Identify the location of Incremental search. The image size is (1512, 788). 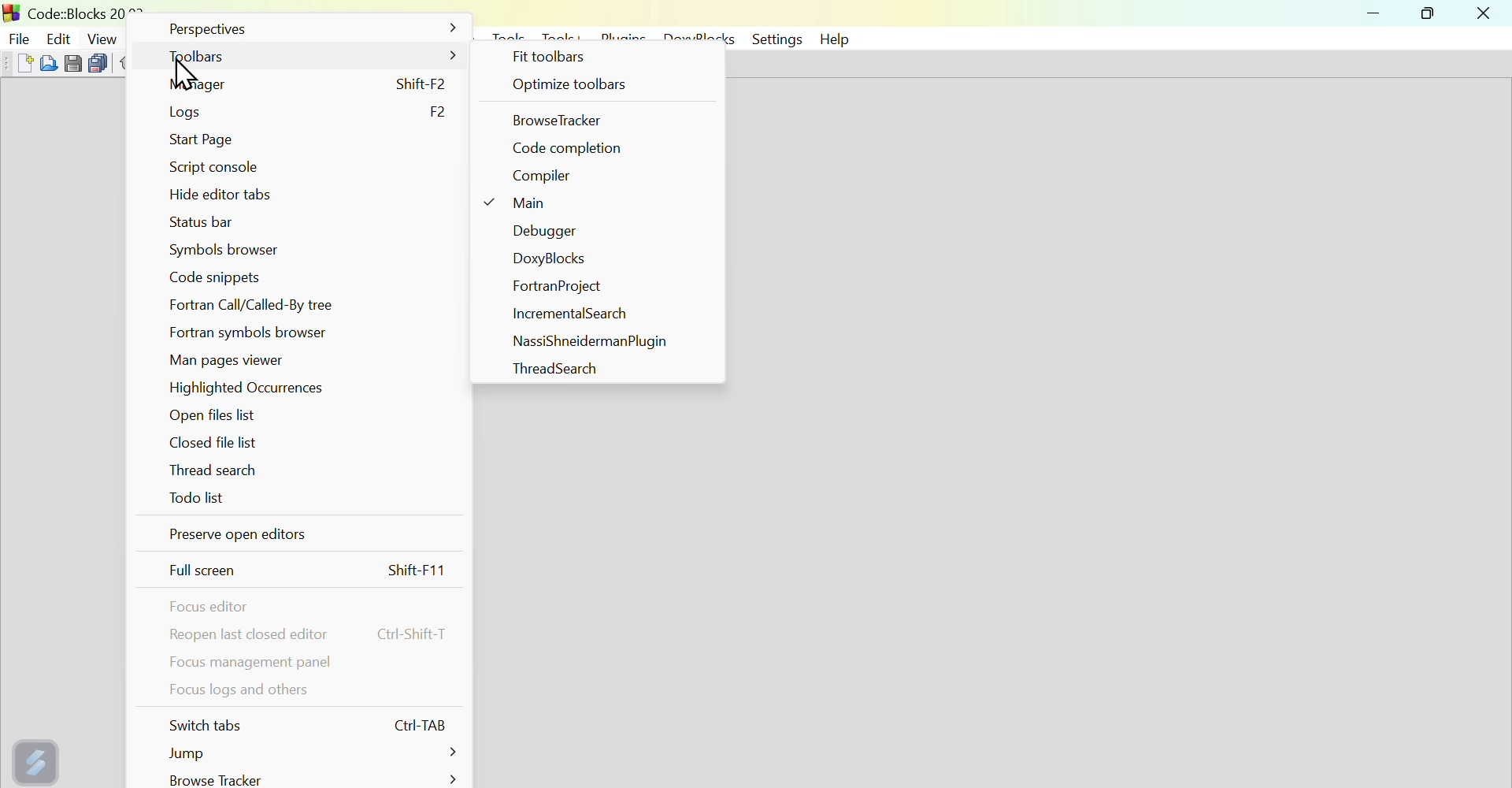
(573, 316).